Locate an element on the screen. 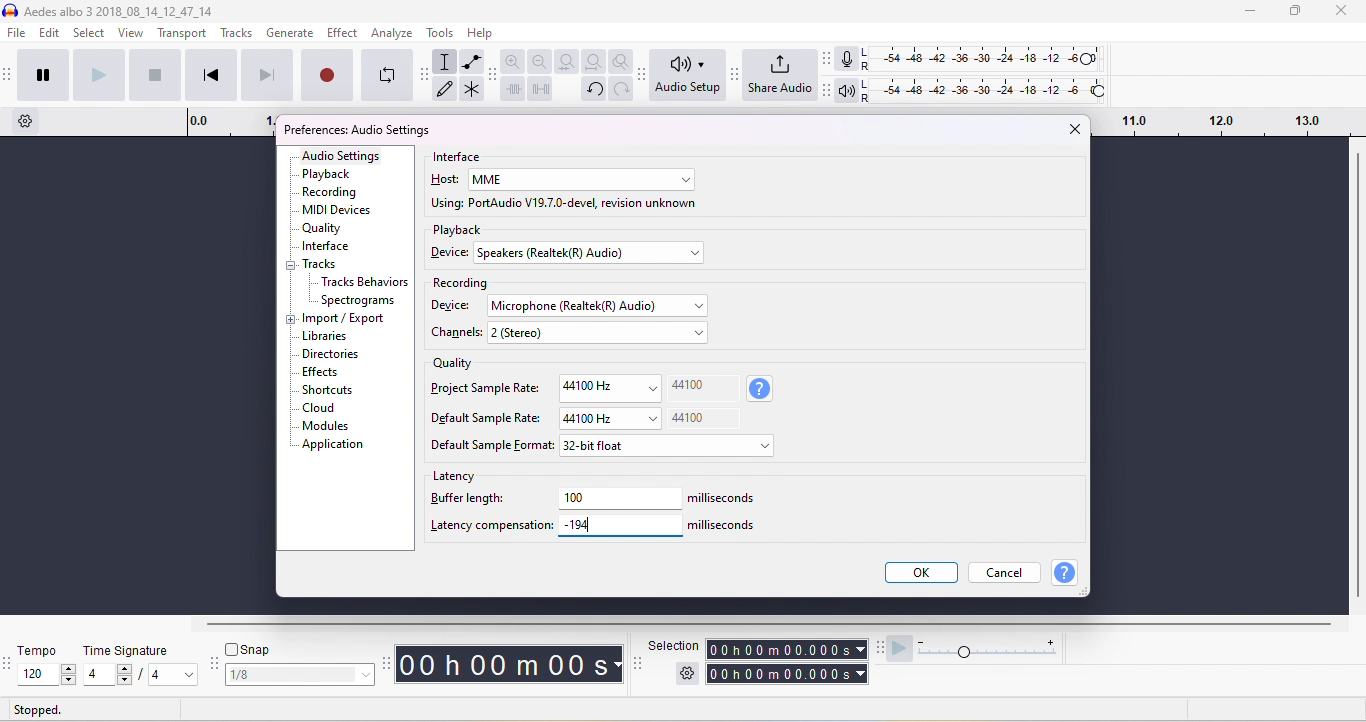 The width and height of the screenshot is (1366, 722). quality is located at coordinates (452, 365).